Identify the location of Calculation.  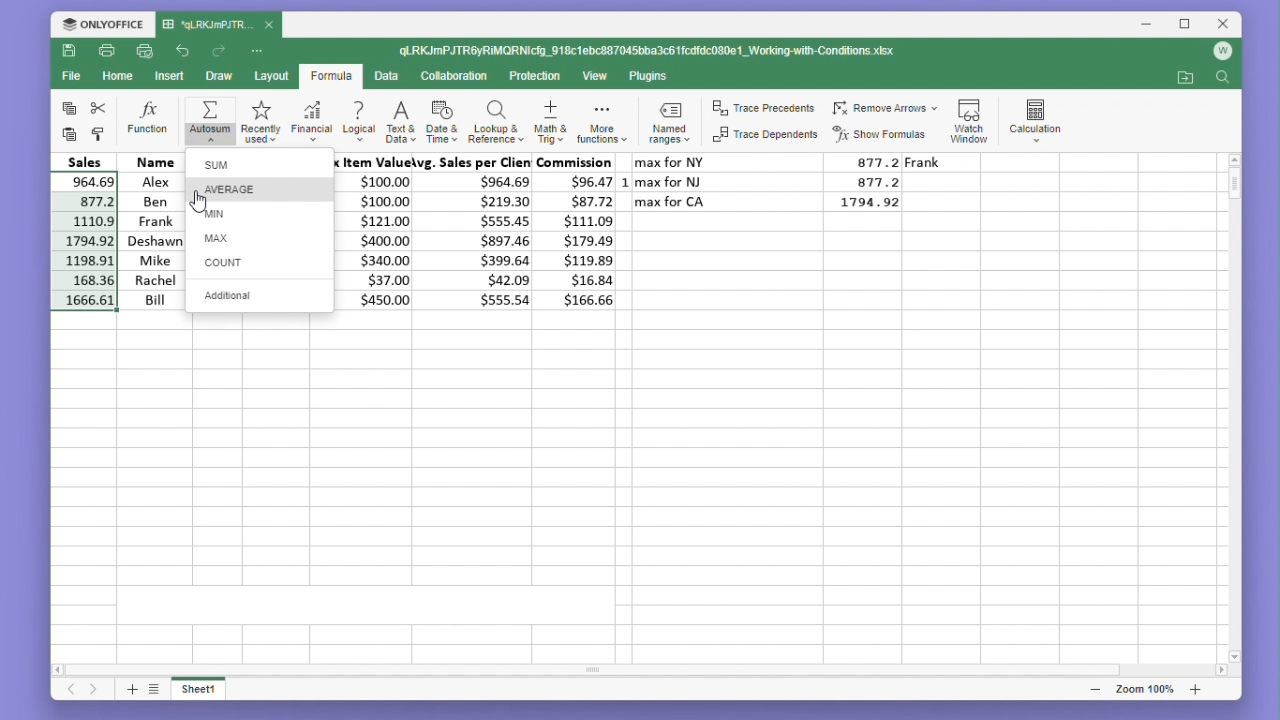
(1036, 117).